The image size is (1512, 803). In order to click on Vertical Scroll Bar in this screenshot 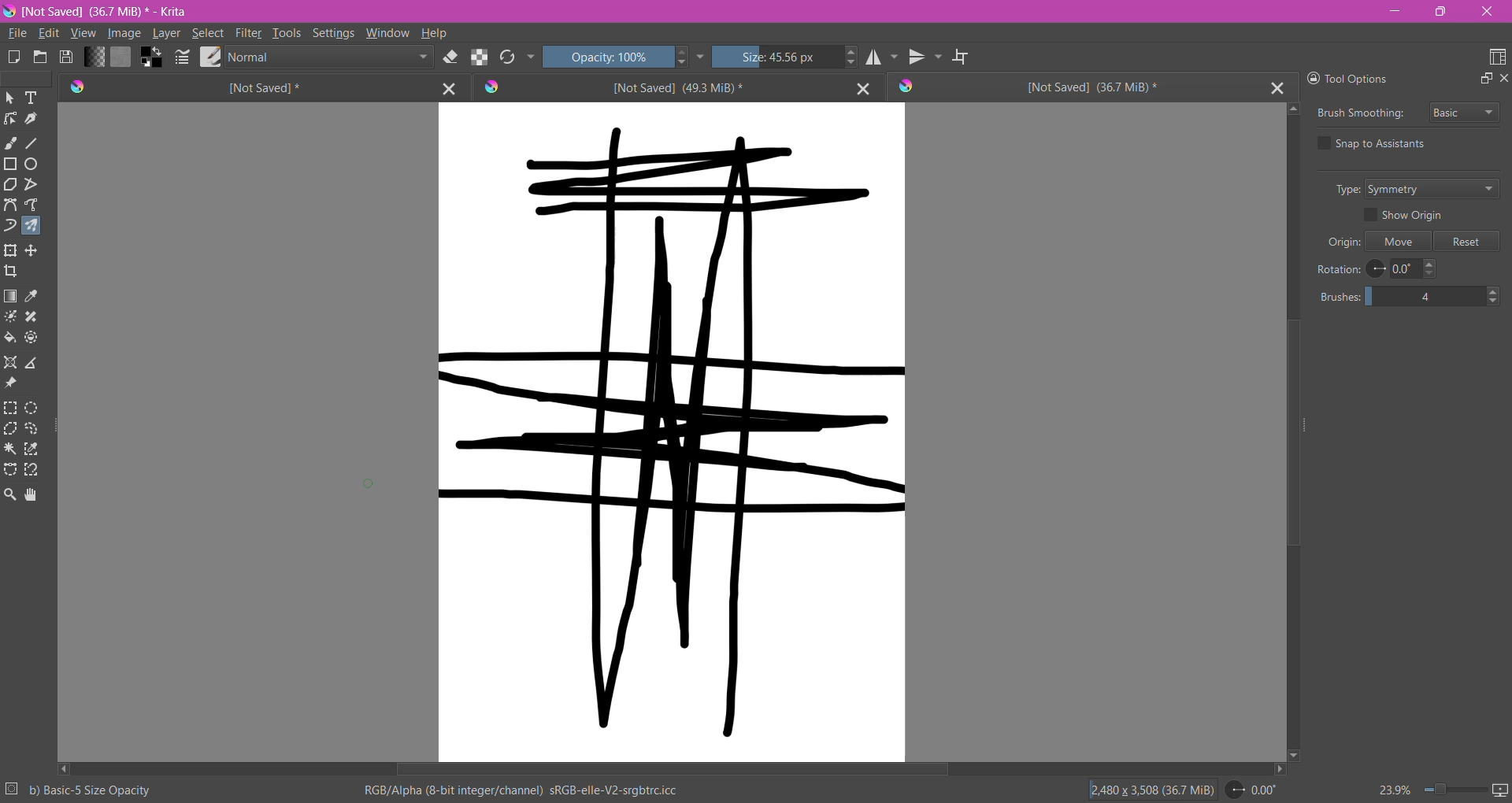, I will do `click(1295, 432)`.